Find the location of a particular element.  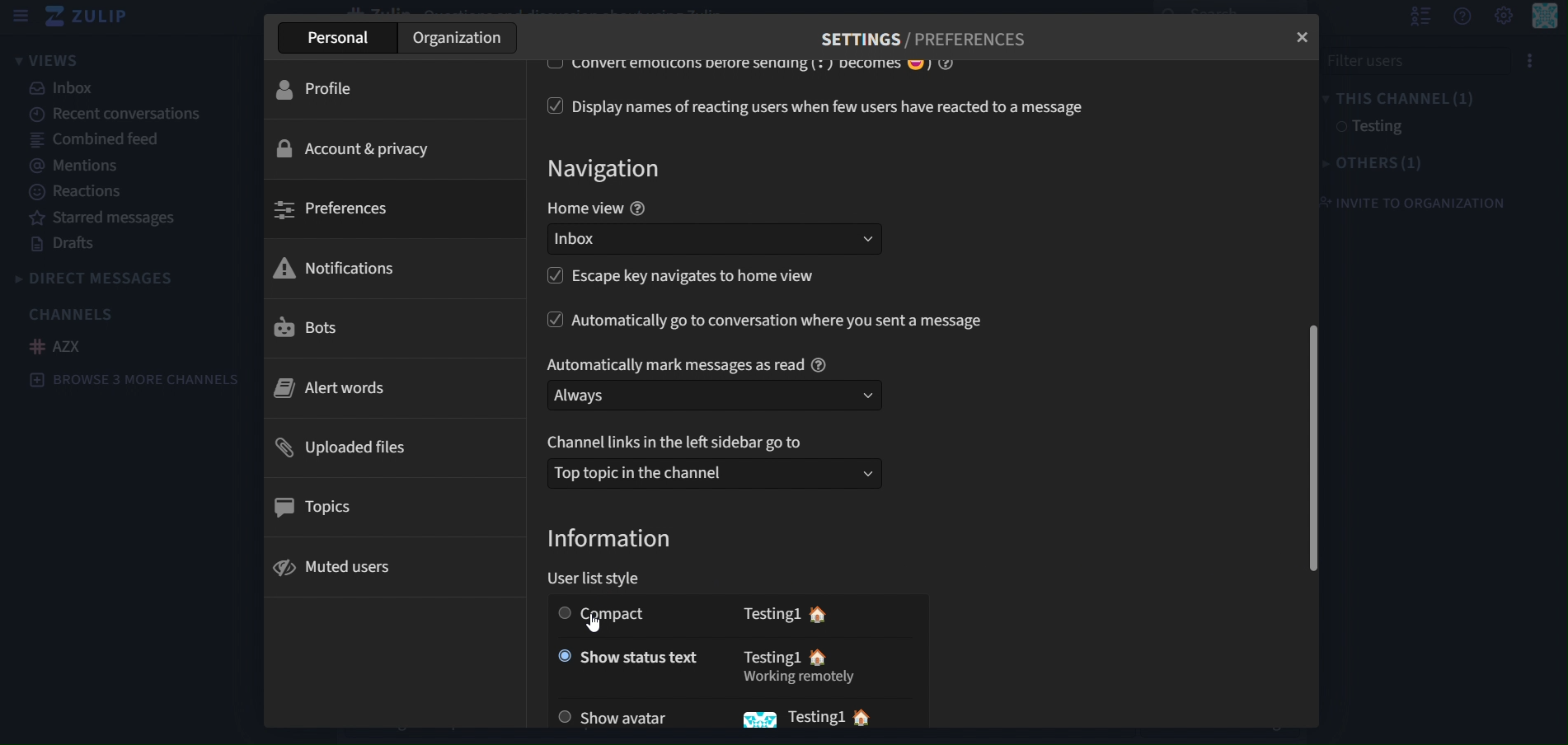

show status text is located at coordinates (622, 654).